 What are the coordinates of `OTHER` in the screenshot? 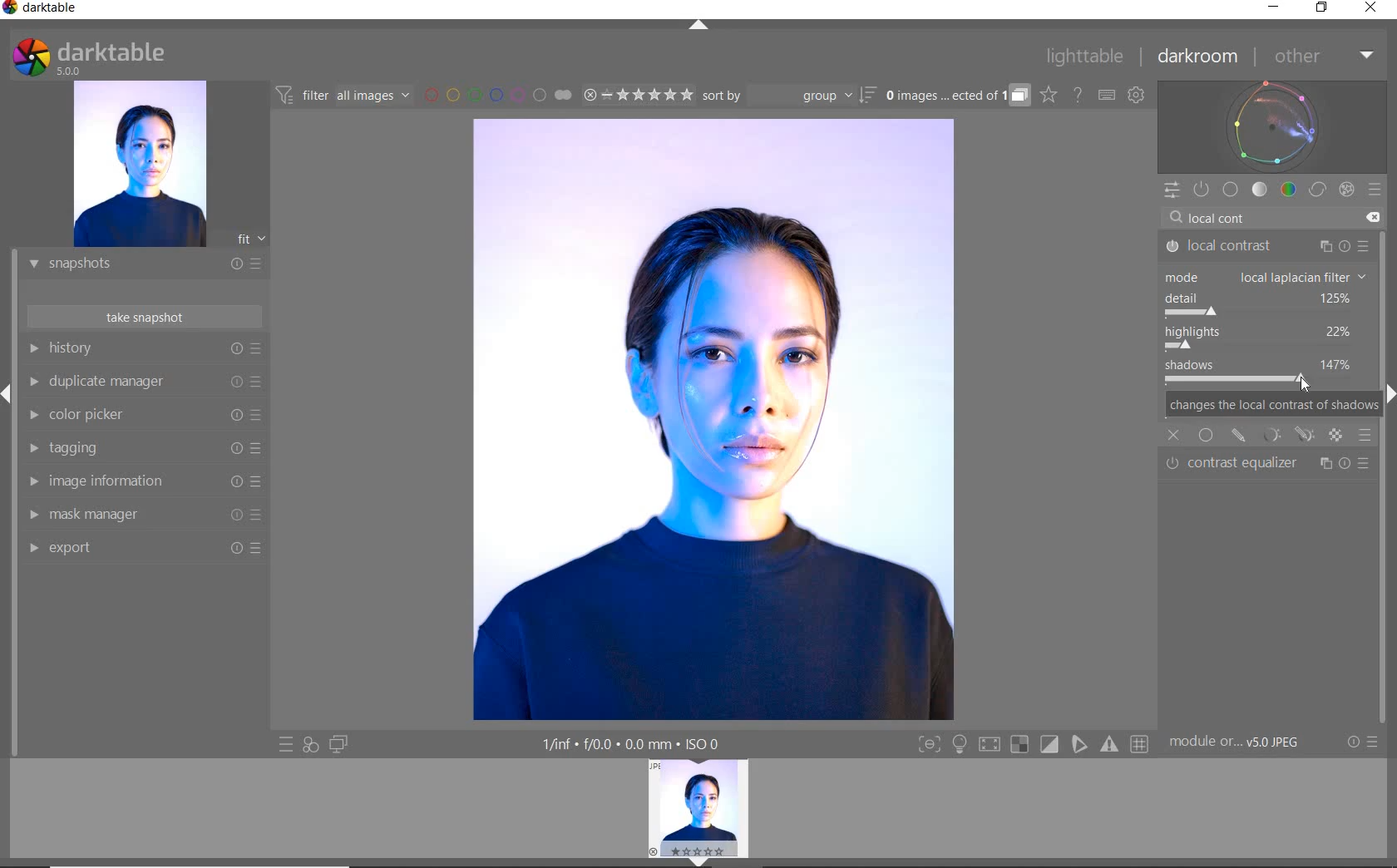 It's located at (1322, 57).